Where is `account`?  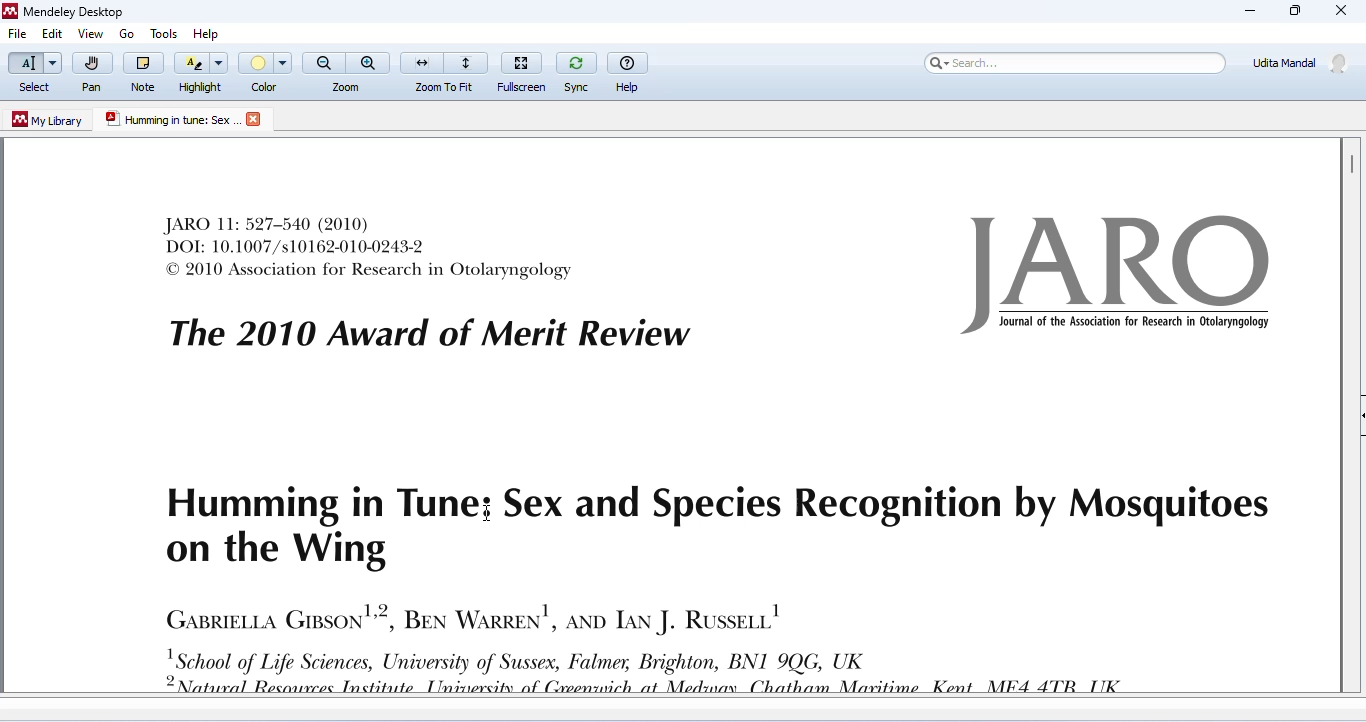 account is located at coordinates (1301, 62).